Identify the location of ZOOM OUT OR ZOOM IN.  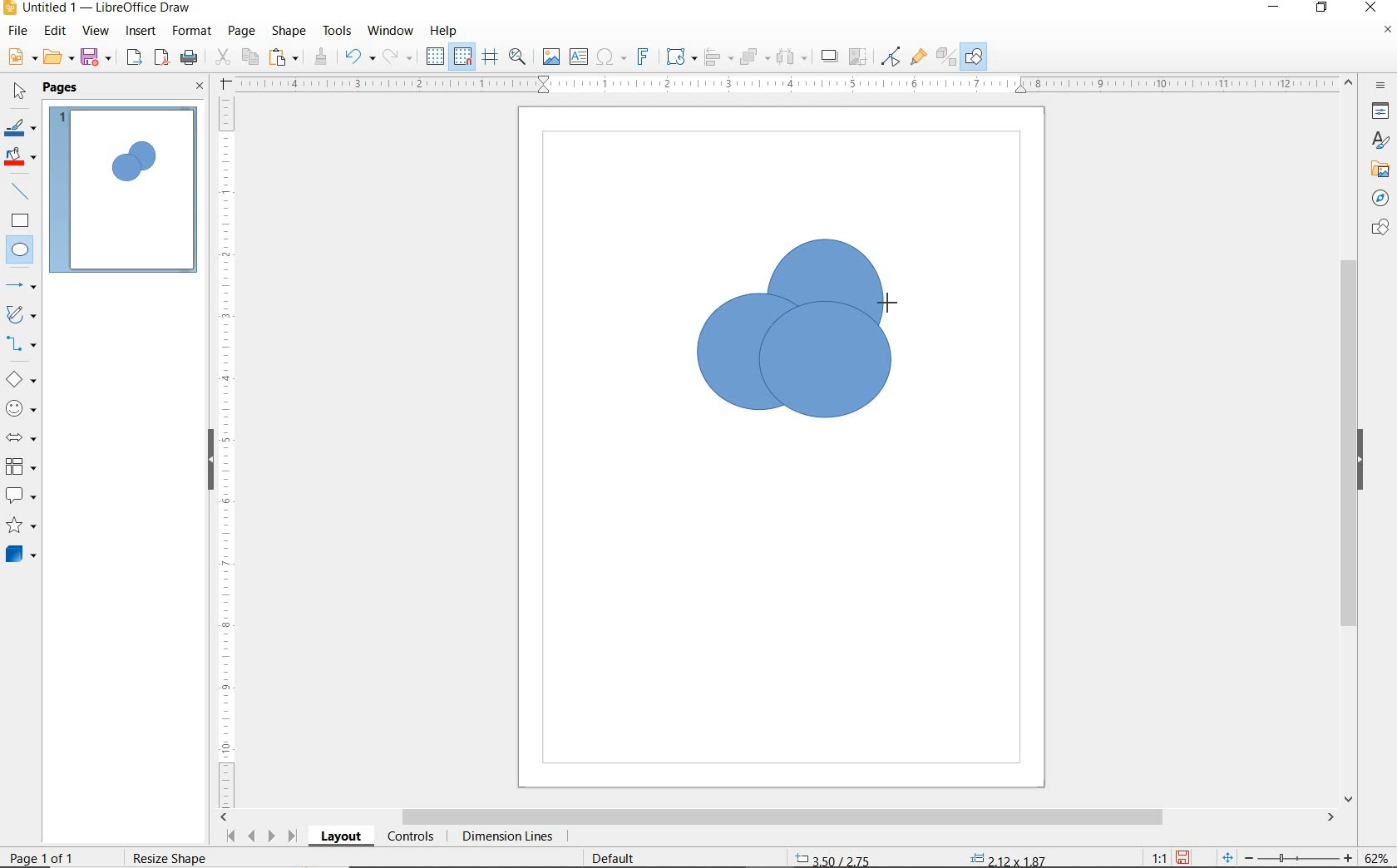
(1287, 858).